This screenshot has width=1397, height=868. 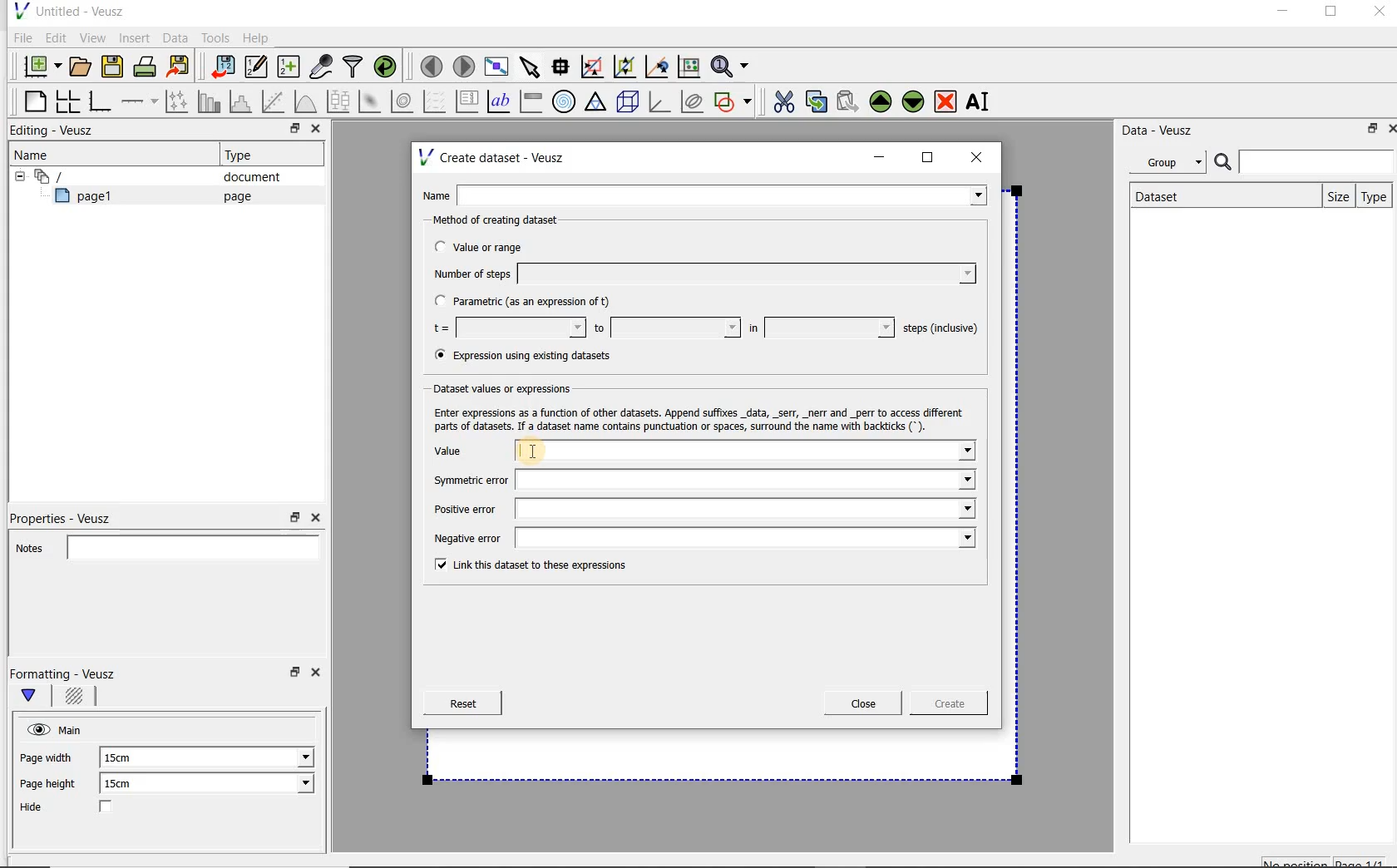 What do you see at coordinates (595, 67) in the screenshot?
I see `click or draw a rectangle to zoom graph axes` at bounding box center [595, 67].